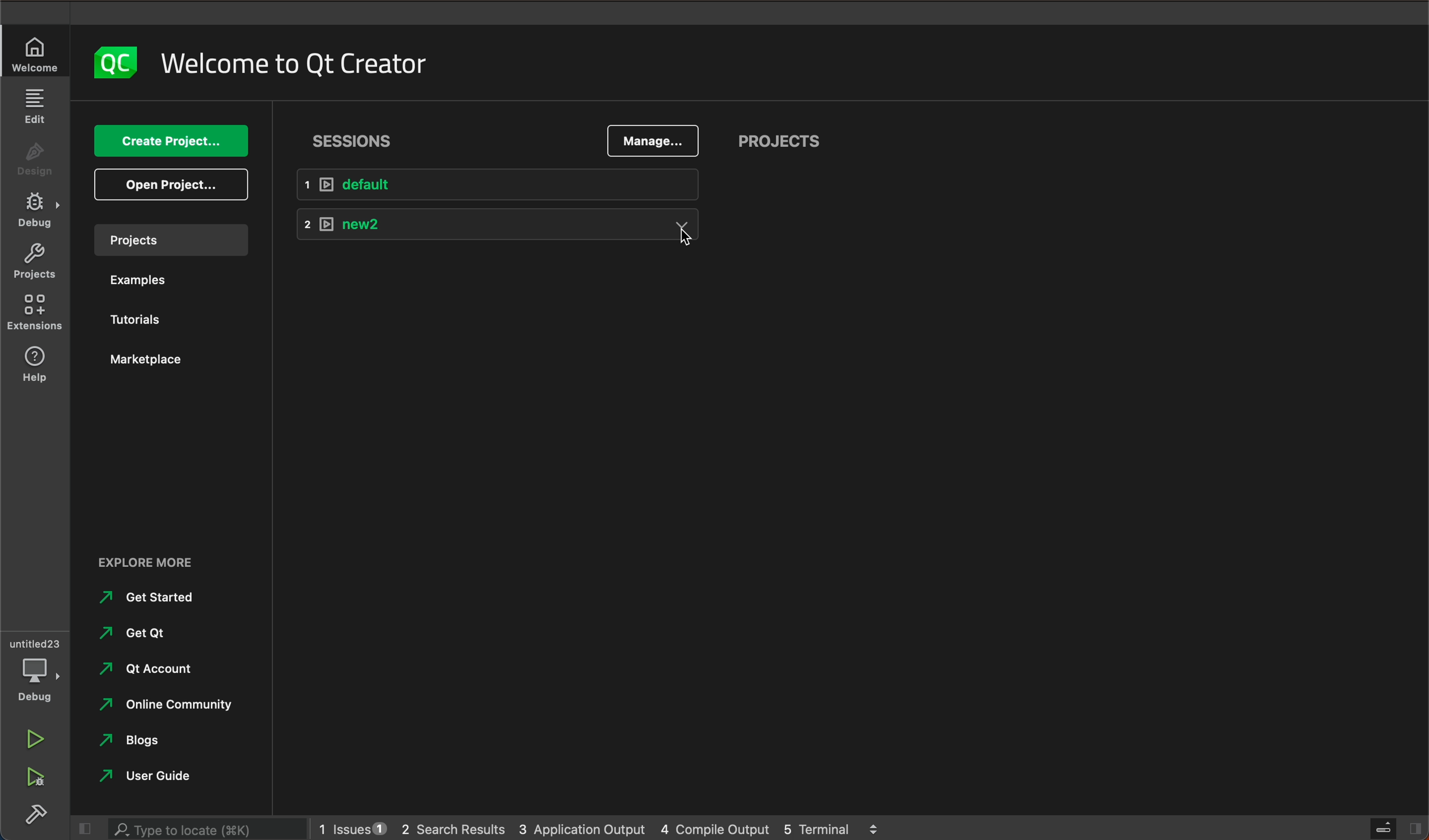 This screenshot has height=840, width=1429. What do you see at coordinates (116, 60) in the screenshot?
I see `logo` at bounding box center [116, 60].